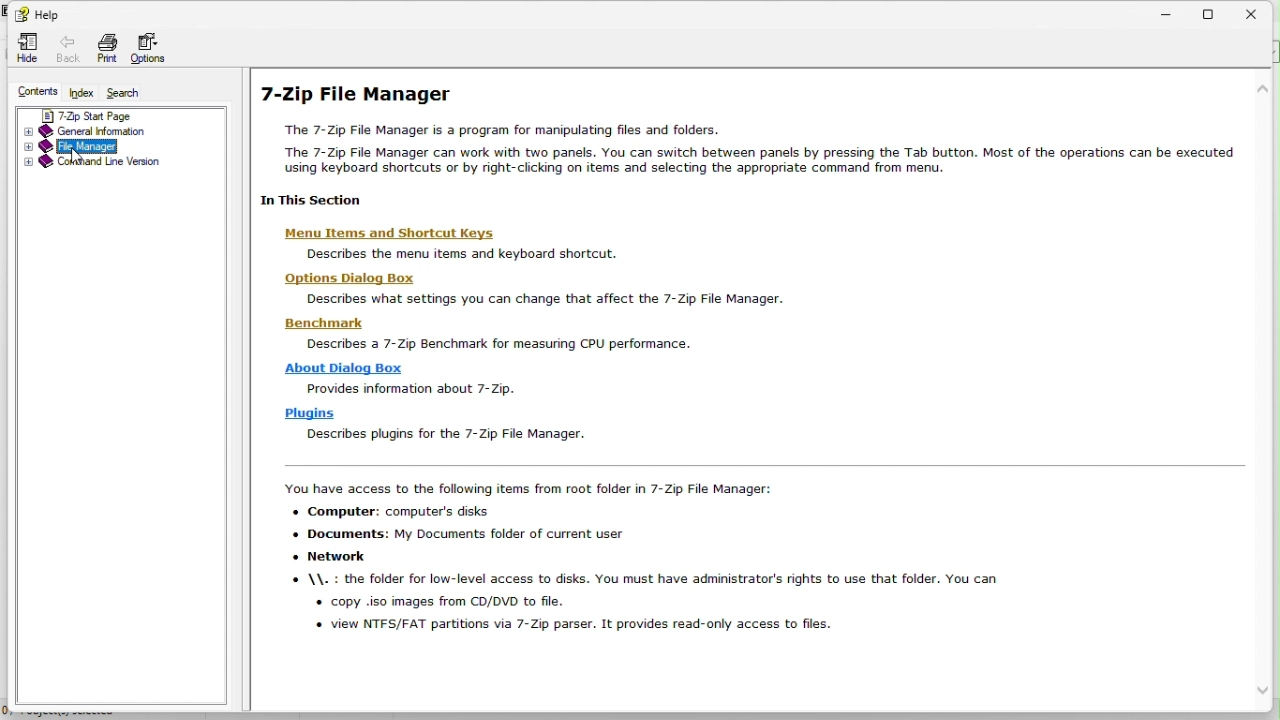 The image size is (1280, 720). What do you see at coordinates (66, 51) in the screenshot?
I see `Back` at bounding box center [66, 51].